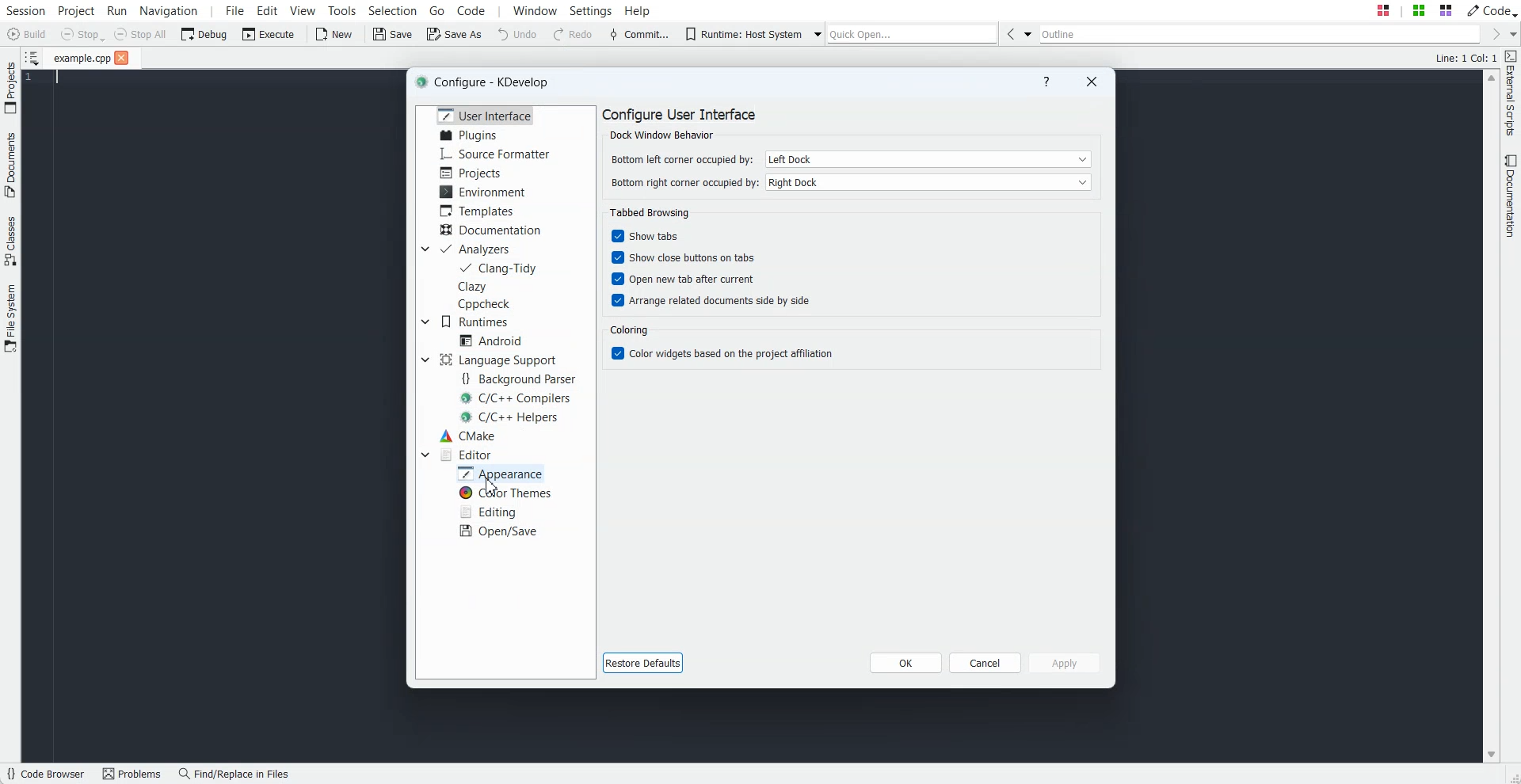  Describe the element at coordinates (1066, 663) in the screenshot. I see `Apply` at that location.